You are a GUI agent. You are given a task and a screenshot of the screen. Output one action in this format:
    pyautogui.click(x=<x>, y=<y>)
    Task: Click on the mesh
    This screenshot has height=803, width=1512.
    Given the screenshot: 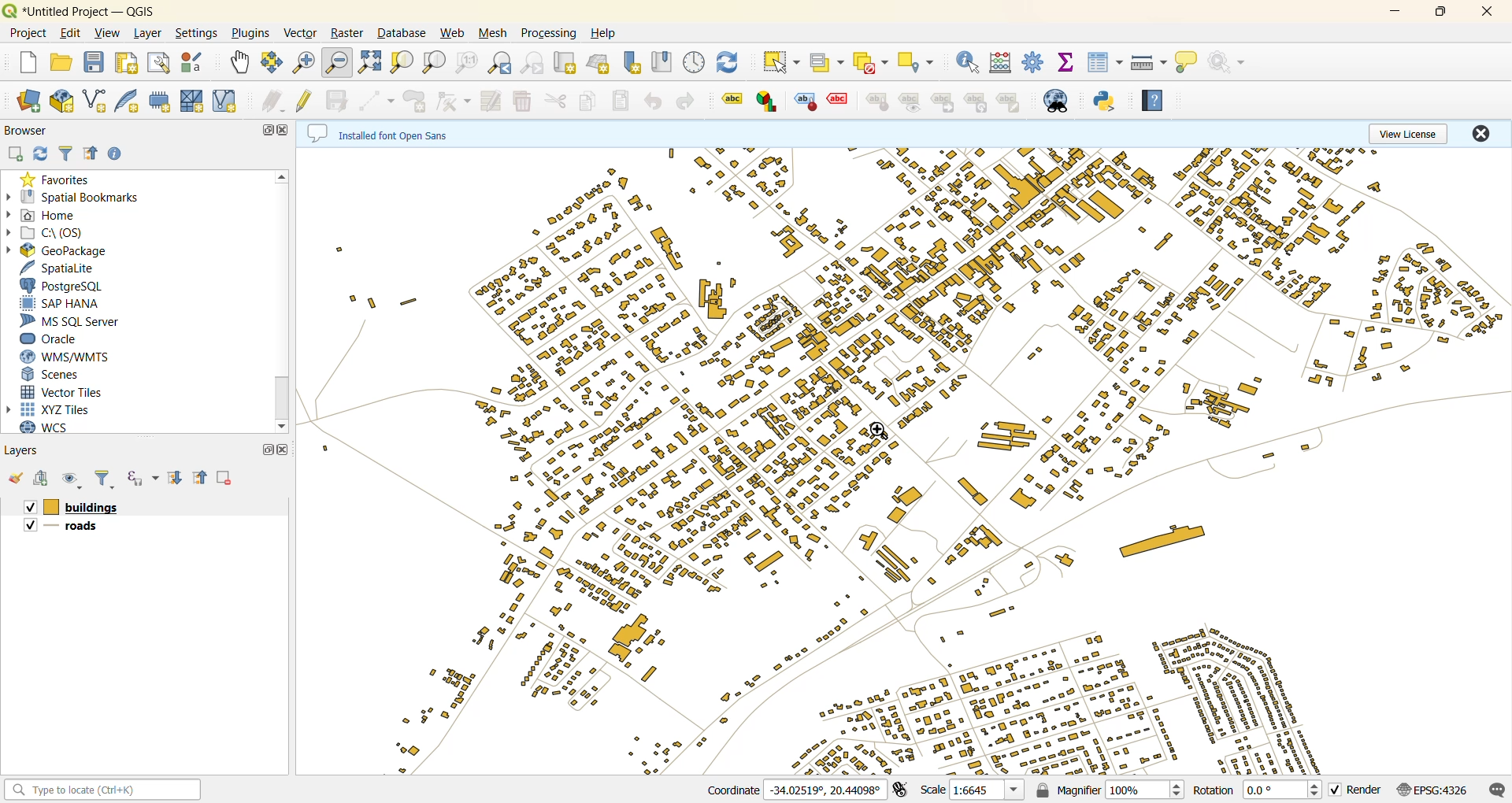 What is the action you would take?
    pyautogui.click(x=498, y=34)
    